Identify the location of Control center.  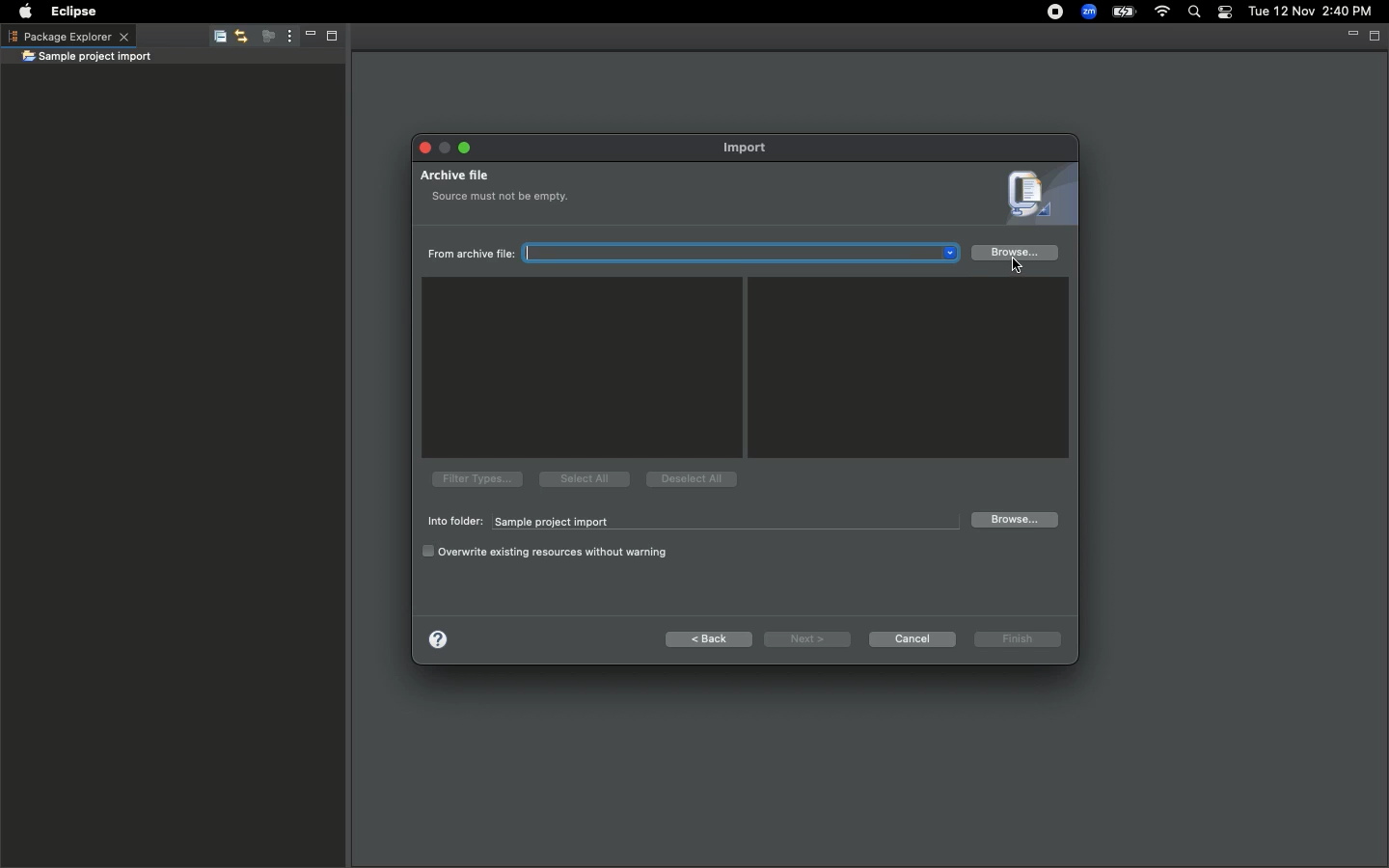
(1223, 13).